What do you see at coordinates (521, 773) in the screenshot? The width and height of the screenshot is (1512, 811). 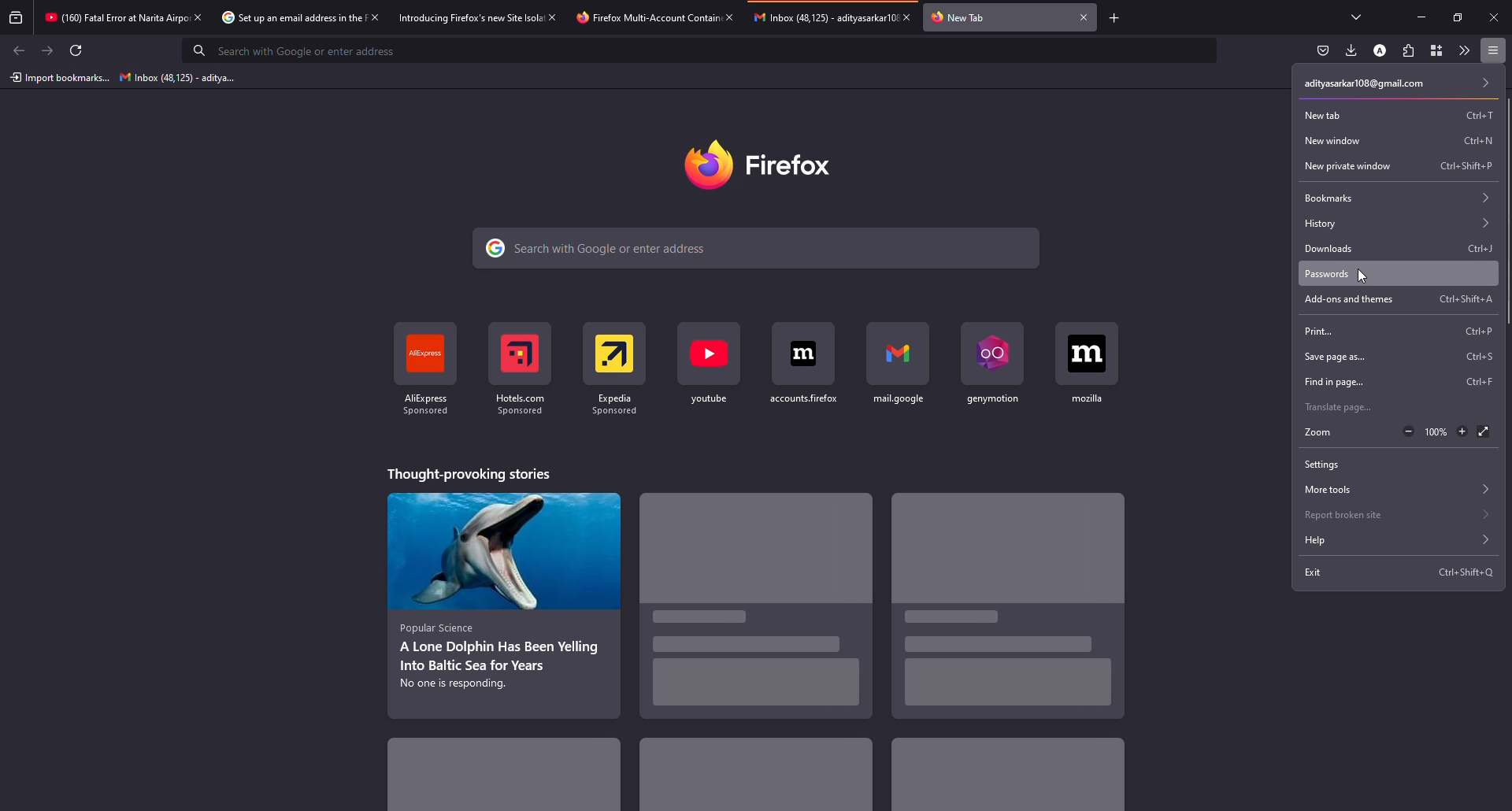 I see `stories` at bounding box center [521, 773].